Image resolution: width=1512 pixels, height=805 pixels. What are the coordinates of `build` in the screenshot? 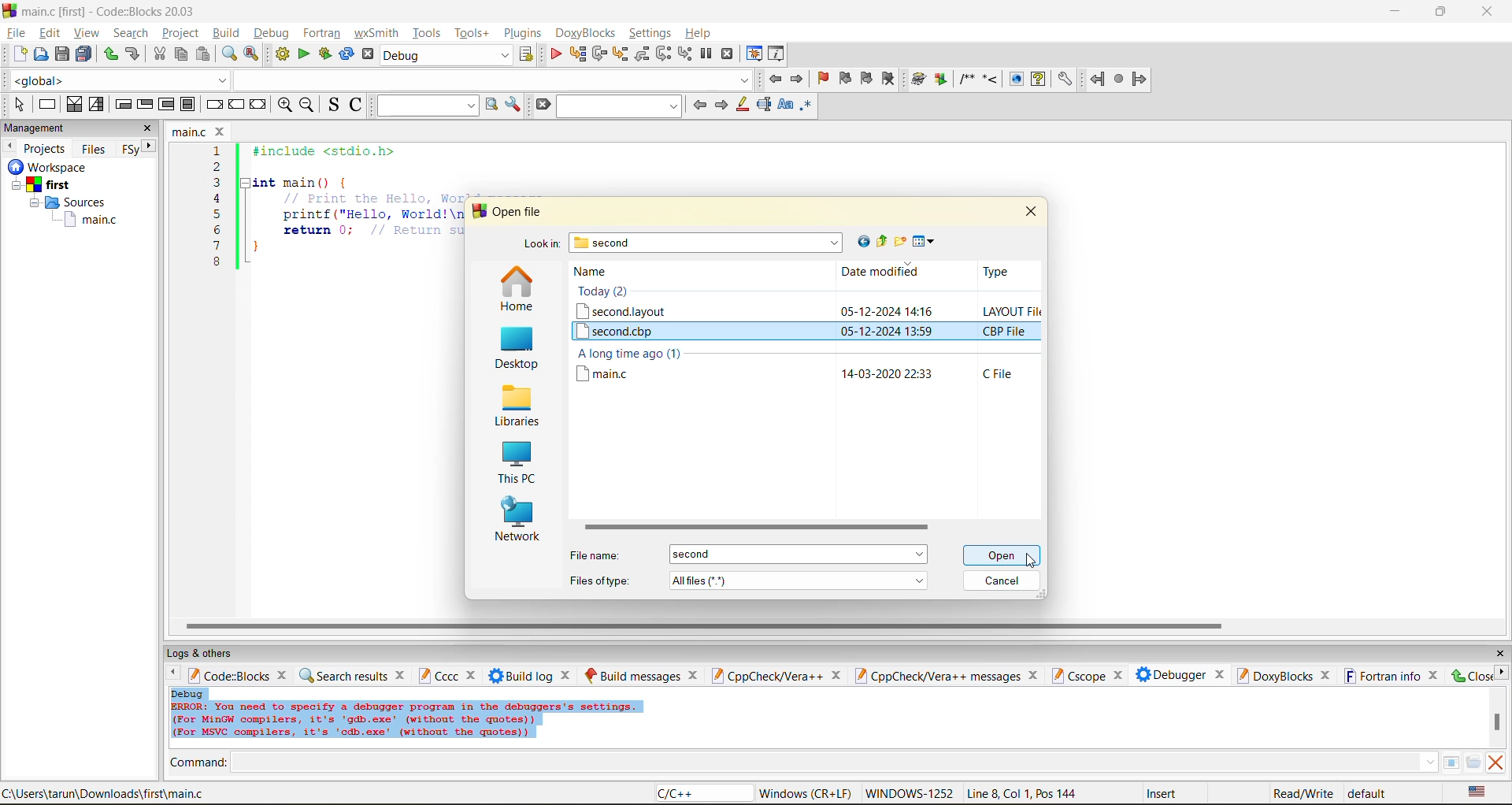 It's located at (919, 80).